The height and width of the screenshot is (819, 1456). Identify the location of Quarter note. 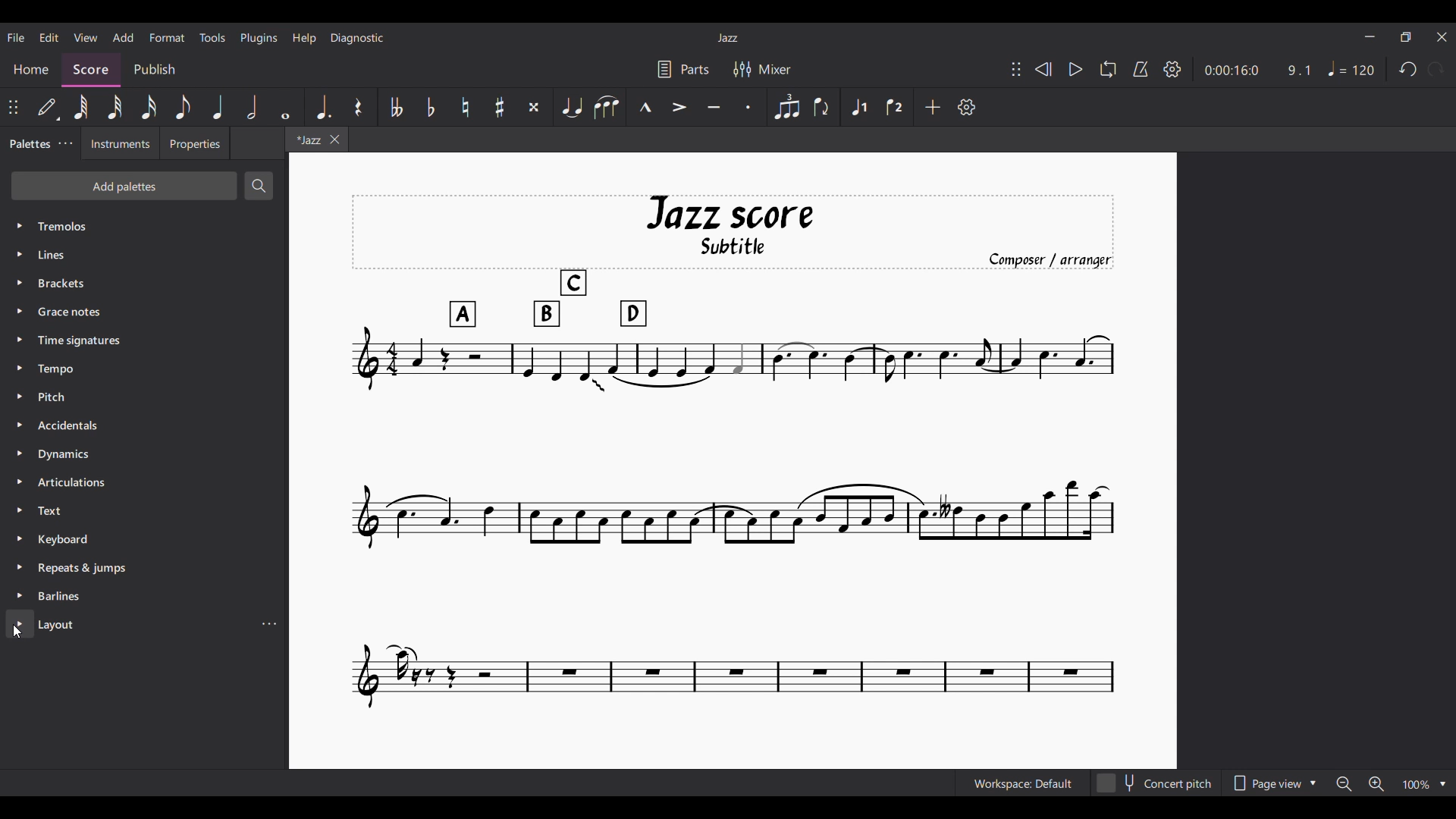
(218, 107).